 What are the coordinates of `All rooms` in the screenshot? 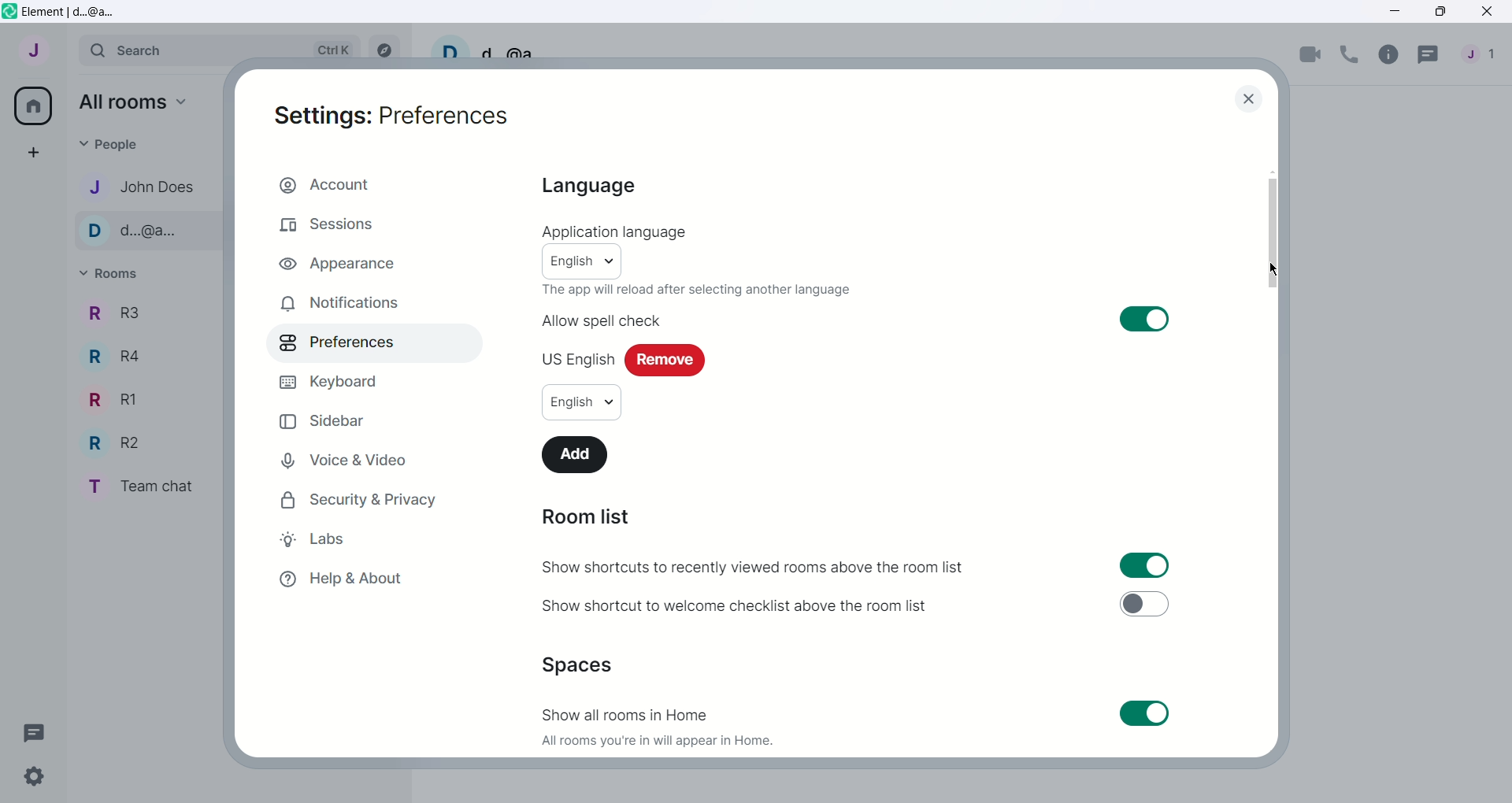 It's located at (135, 102).